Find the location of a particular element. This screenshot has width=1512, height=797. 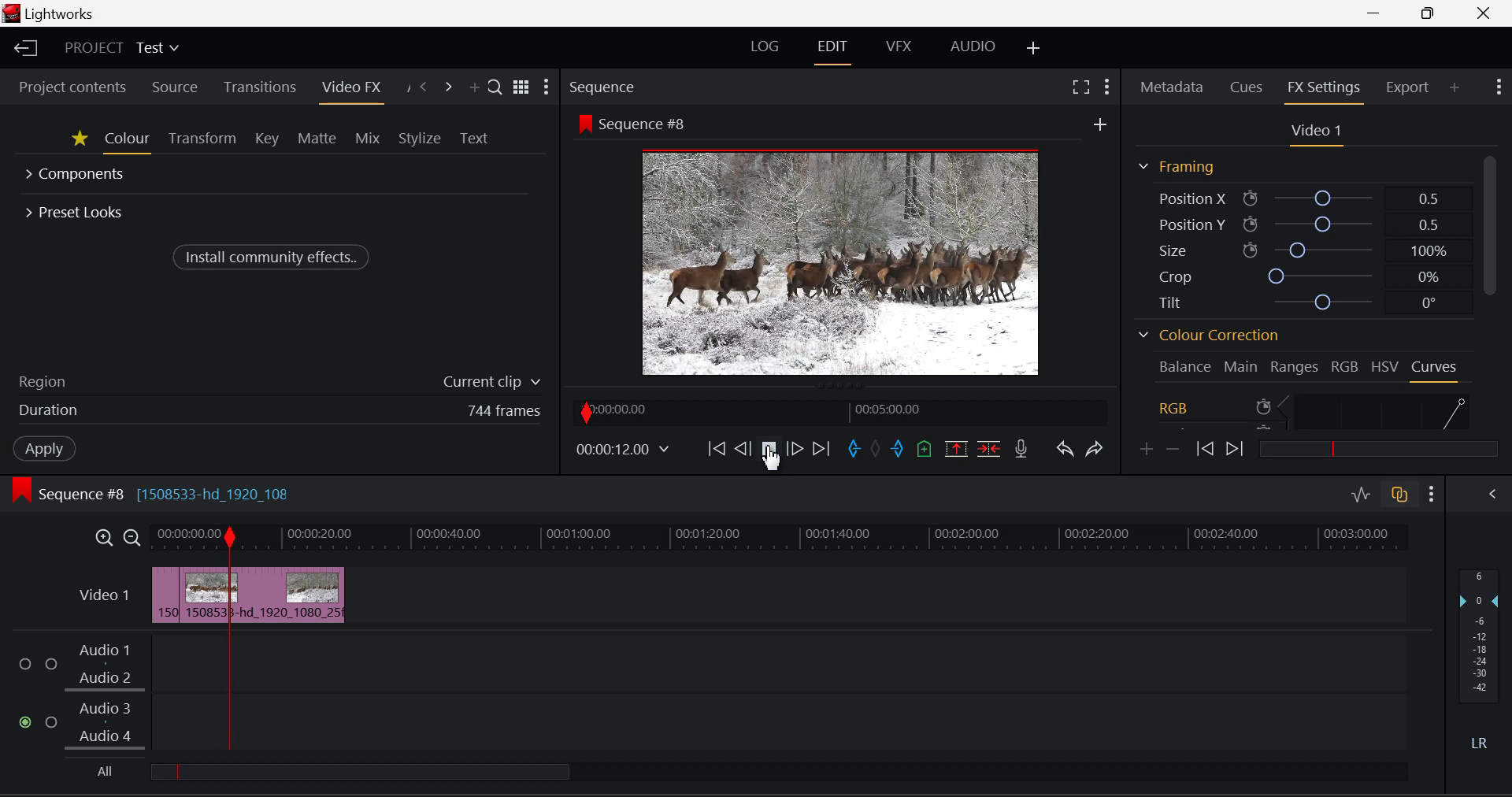

Colour Correction is located at coordinates (1206, 335).